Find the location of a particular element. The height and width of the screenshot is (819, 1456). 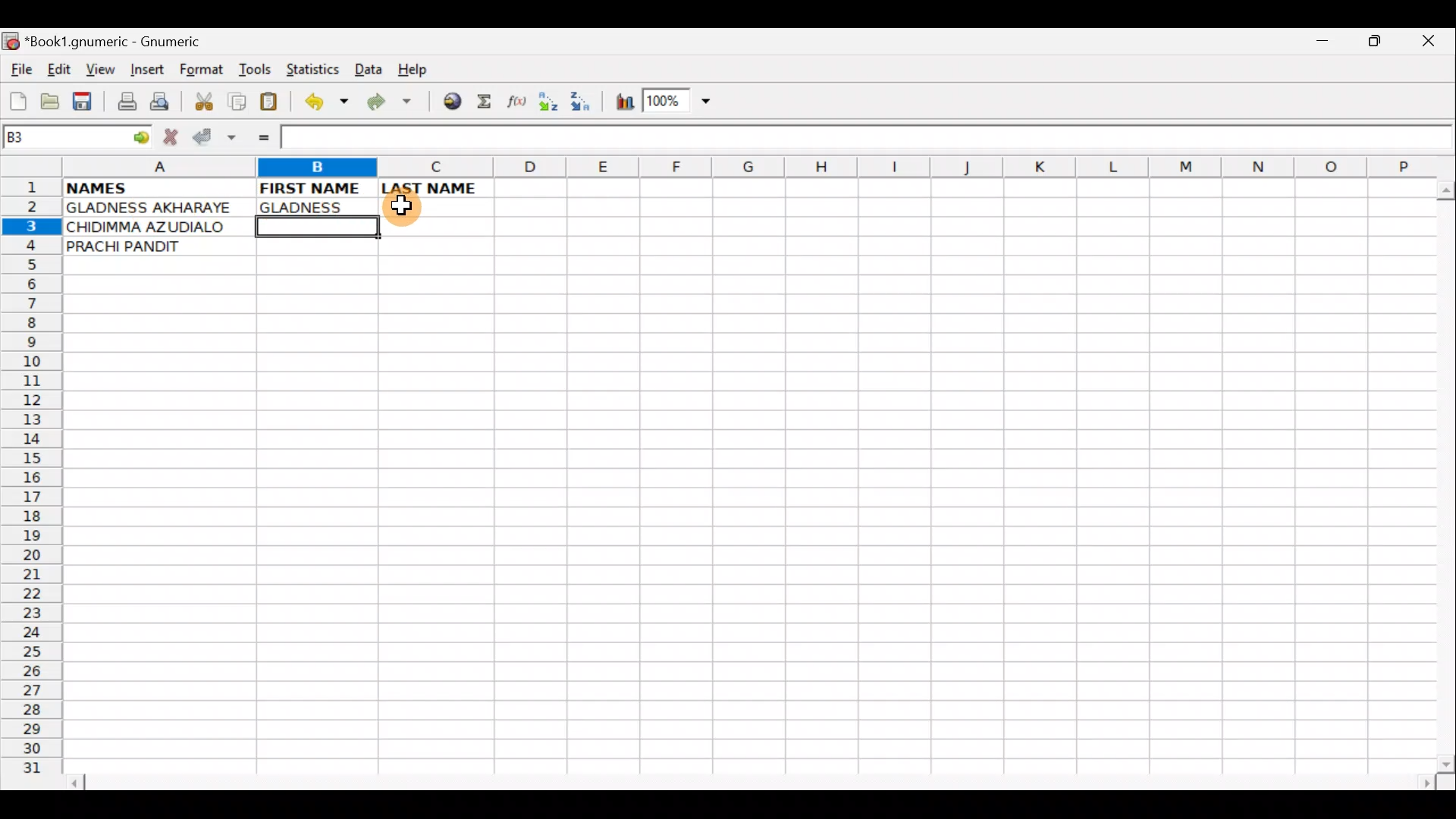

Close is located at coordinates (1432, 45).